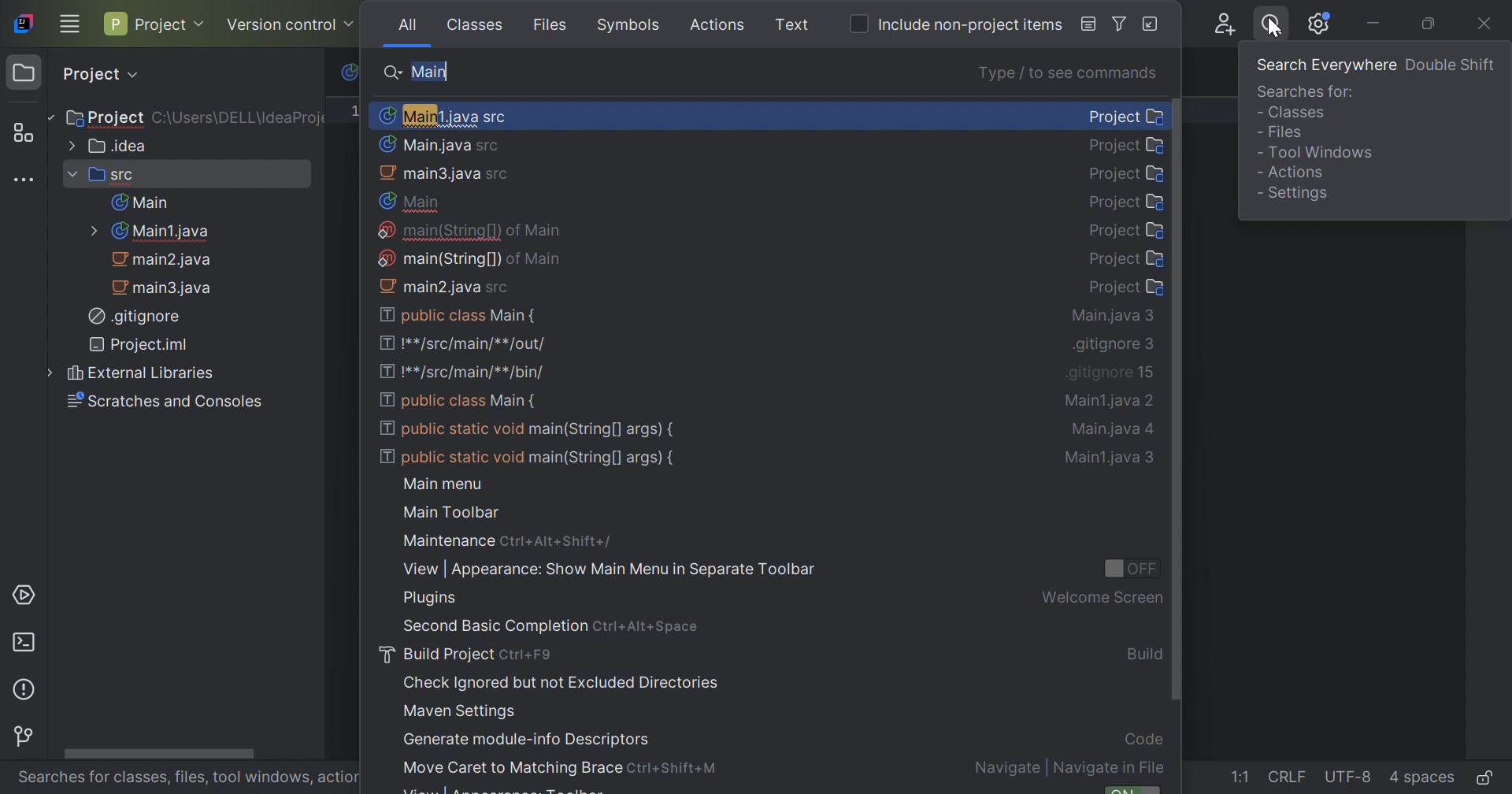  What do you see at coordinates (447, 540) in the screenshot?
I see `Maintenance` at bounding box center [447, 540].